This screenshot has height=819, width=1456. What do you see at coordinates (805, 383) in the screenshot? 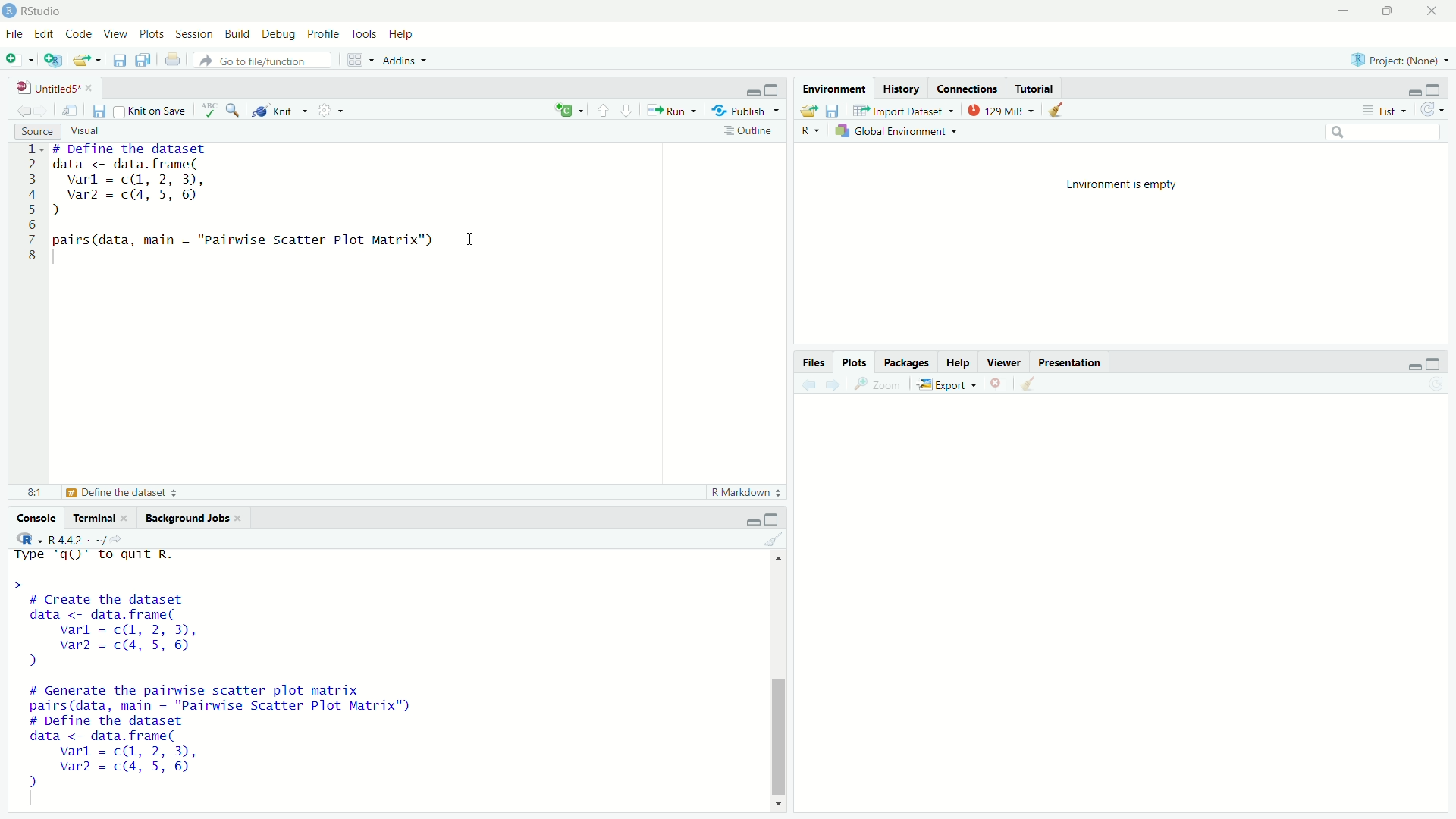
I see `Go back to the previous source location (Ctrl + F9)` at bounding box center [805, 383].